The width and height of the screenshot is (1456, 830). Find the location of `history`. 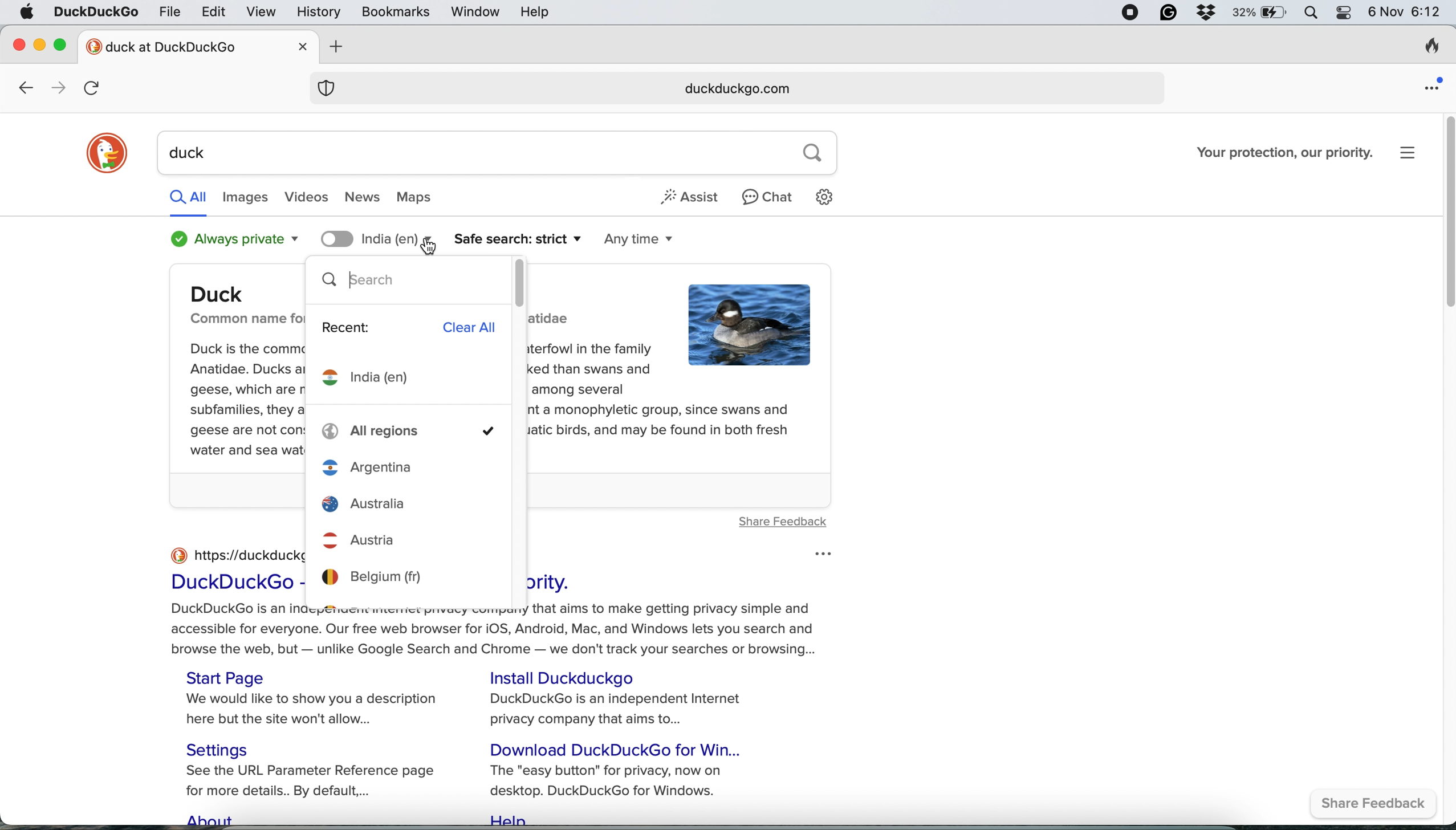

history is located at coordinates (317, 12).